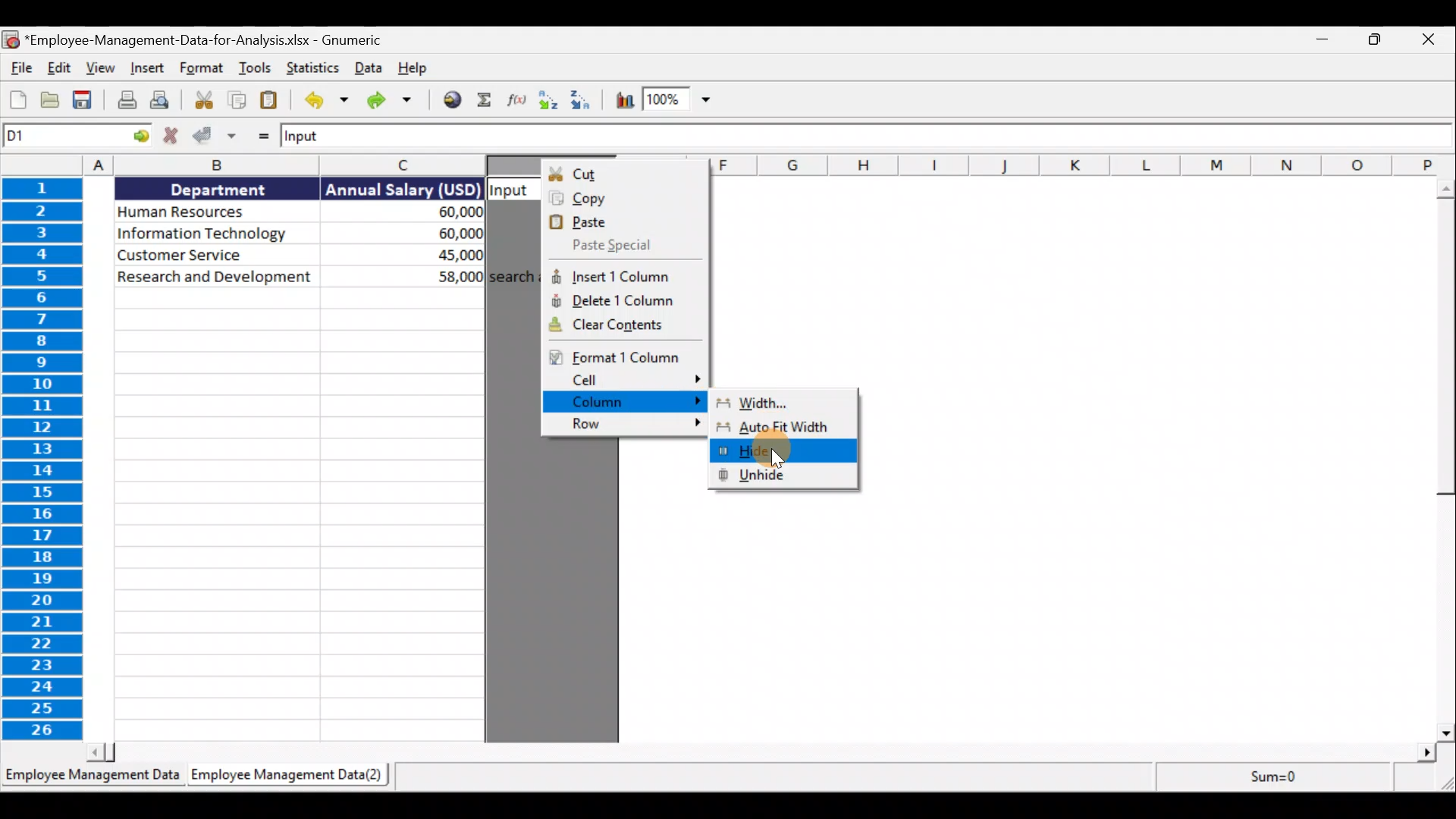  What do you see at coordinates (240, 100) in the screenshot?
I see `Copy selection` at bounding box center [240, 100].